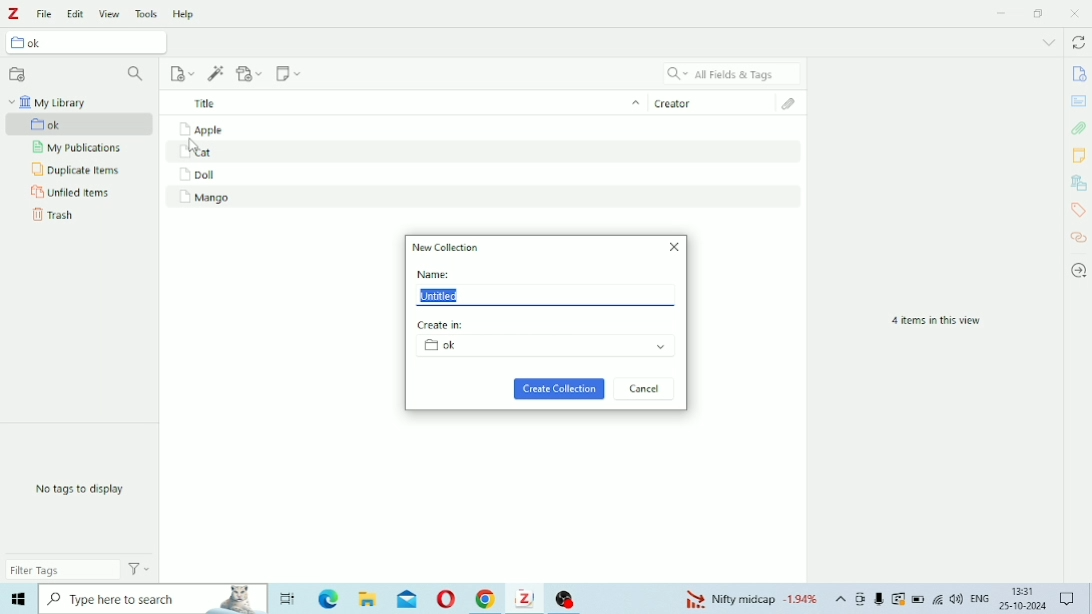 Image resolution: width=1092 pixels, height=614 pixels. I want to click on My Library, so click(49, 102).